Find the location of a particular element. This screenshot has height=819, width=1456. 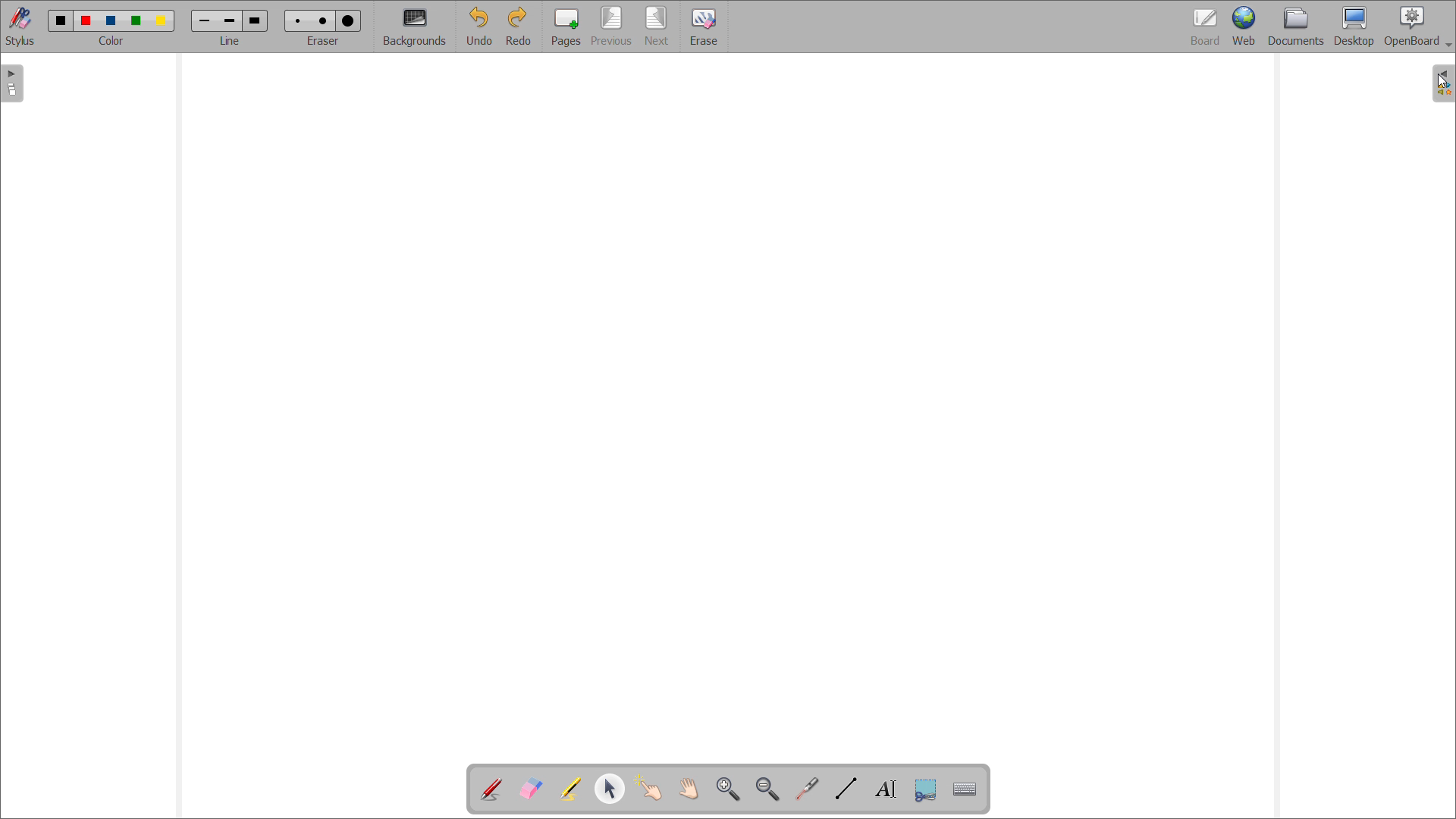

board is located at coordinates (1206, 27).